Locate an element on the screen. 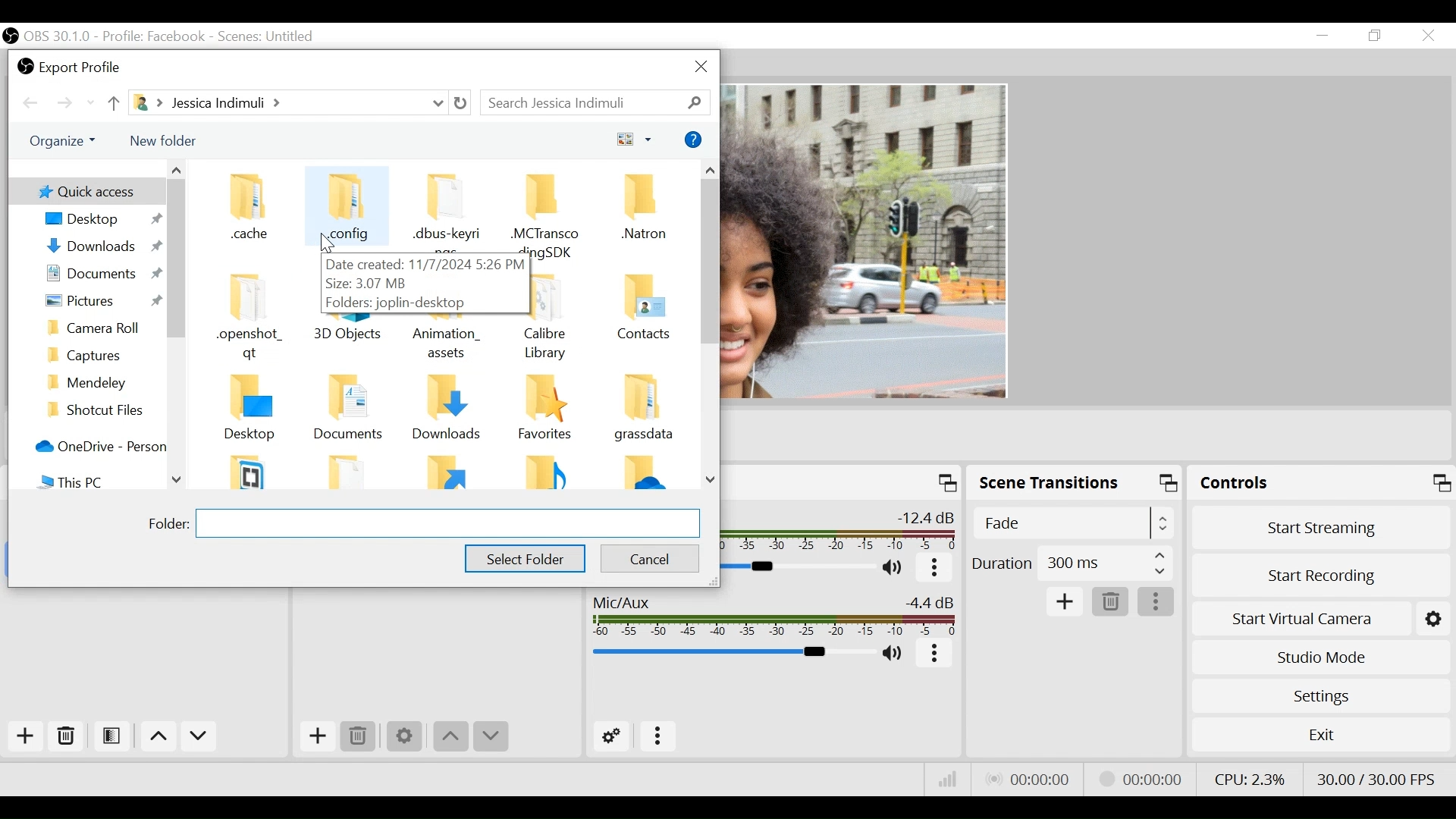  Remove is located at coordinates (67, 735).